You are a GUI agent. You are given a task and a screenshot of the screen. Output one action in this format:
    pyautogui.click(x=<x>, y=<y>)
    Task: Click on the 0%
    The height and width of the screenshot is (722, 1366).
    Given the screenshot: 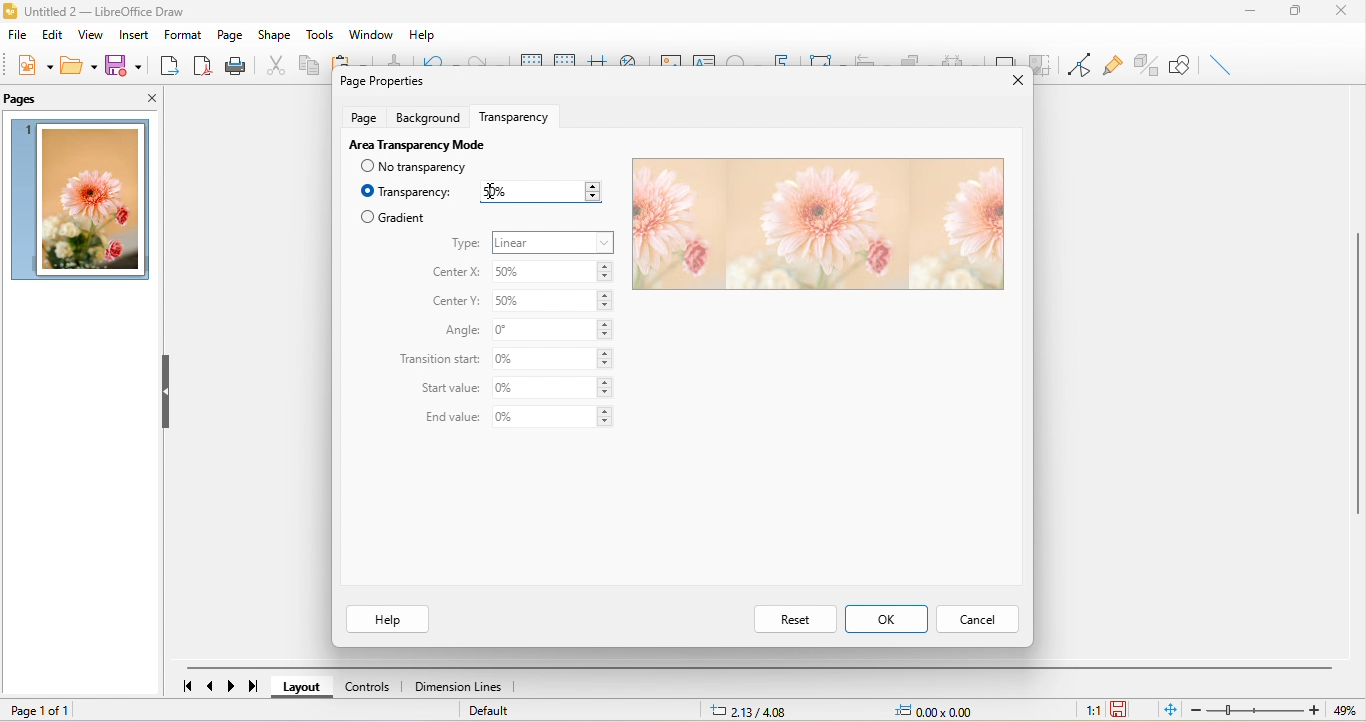 What is the action you would take?
    pyautogui.click(x=555, y=359)
    